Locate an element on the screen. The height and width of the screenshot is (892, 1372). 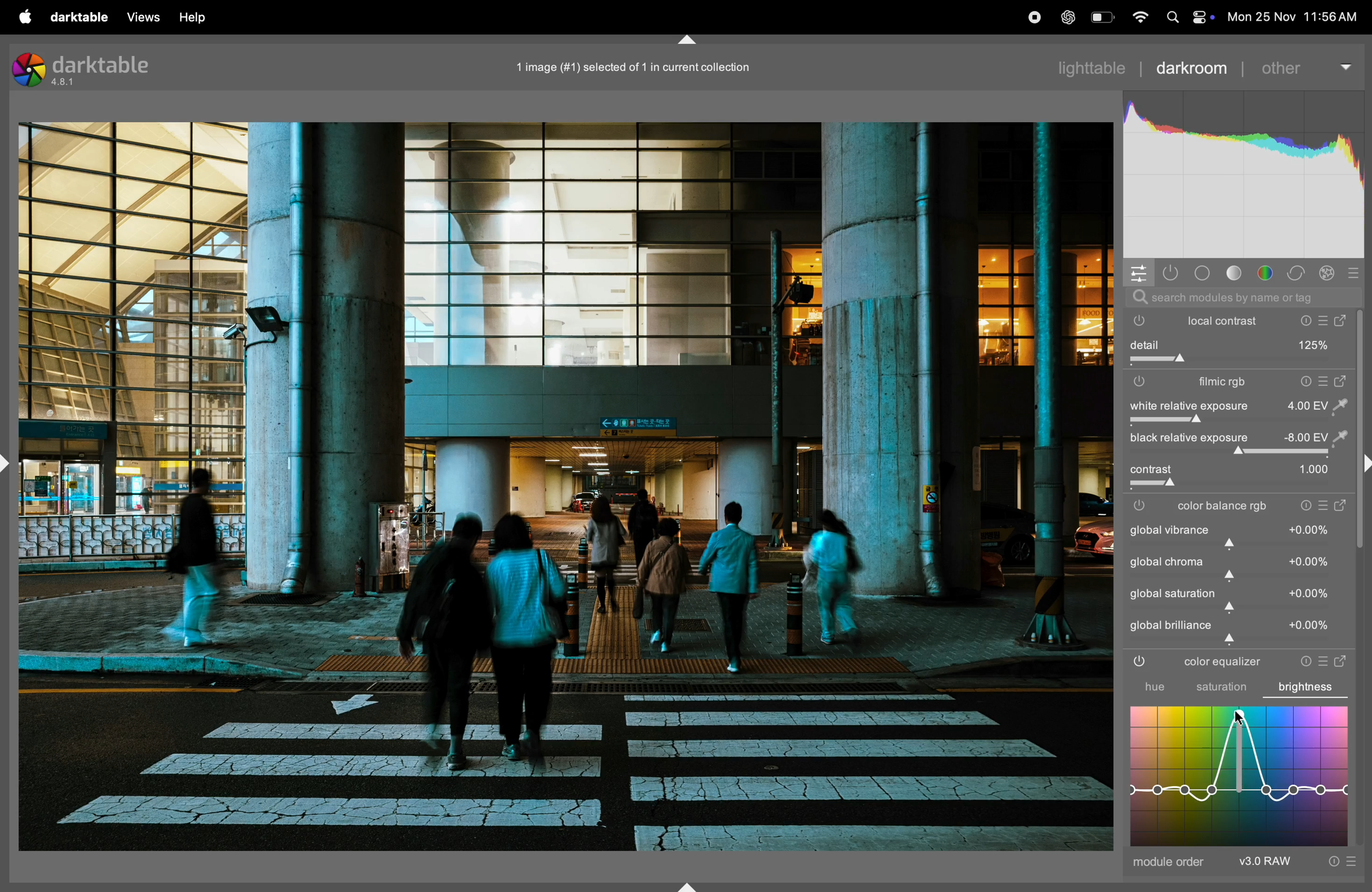
filmic rgb switch off is located at coordinates (1140, 381).